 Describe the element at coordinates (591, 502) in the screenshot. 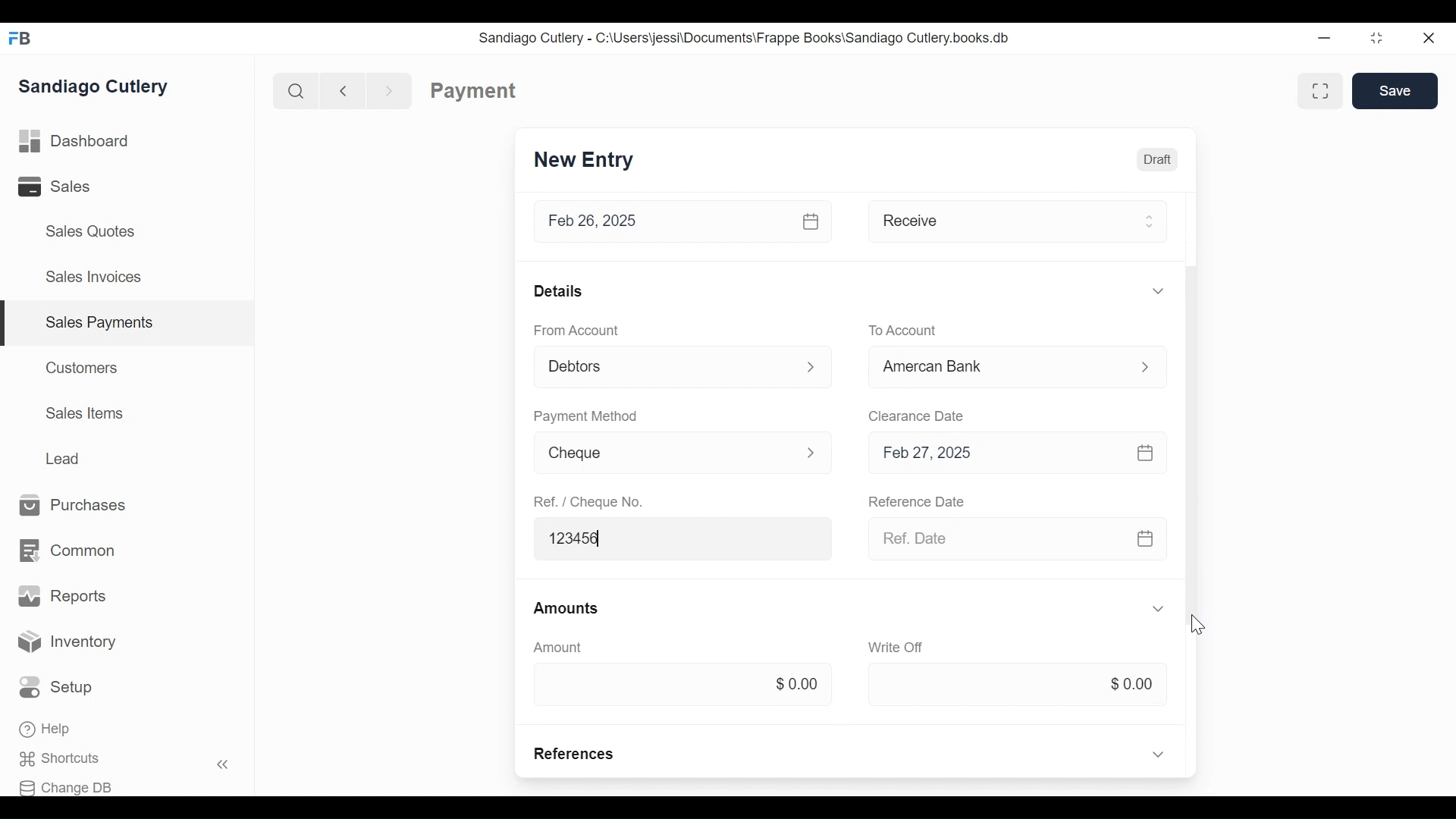

I see `Ref. / Cheque No.` at that location.